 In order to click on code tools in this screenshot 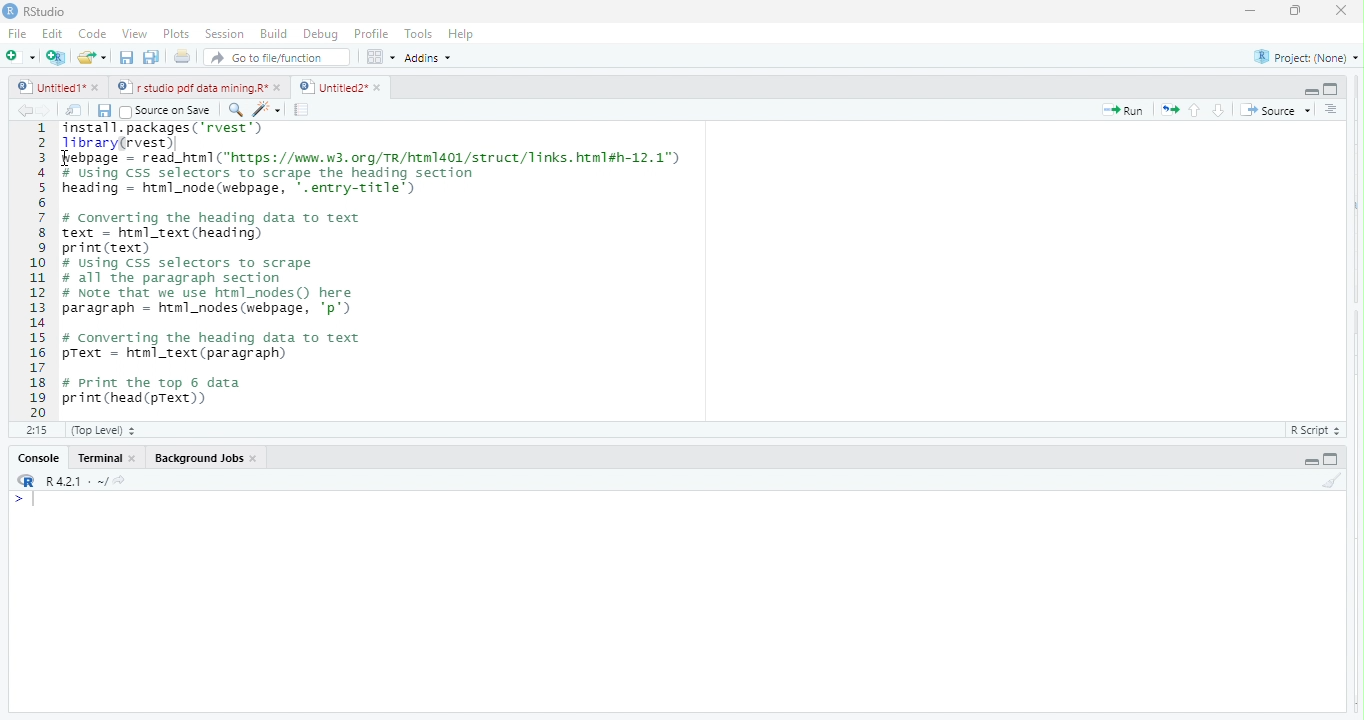, I will do `click(267, 109)`.